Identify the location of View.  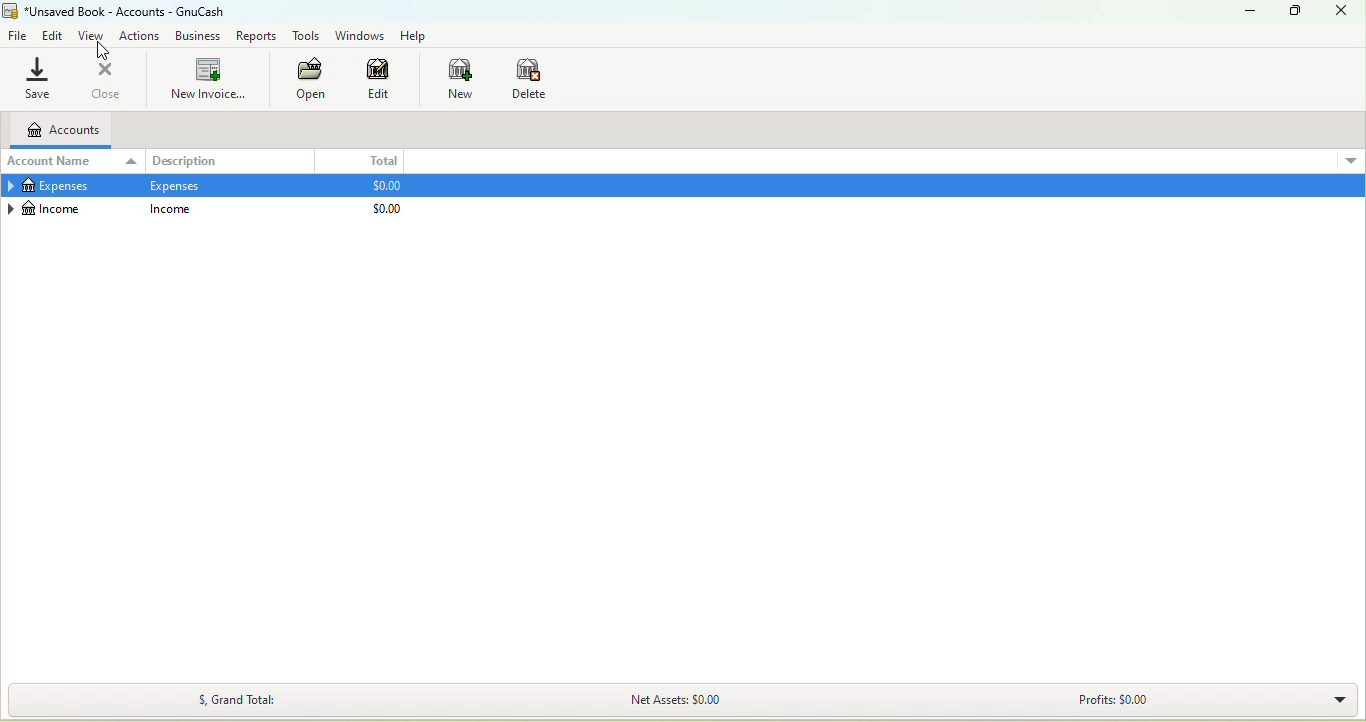
(93, 36).